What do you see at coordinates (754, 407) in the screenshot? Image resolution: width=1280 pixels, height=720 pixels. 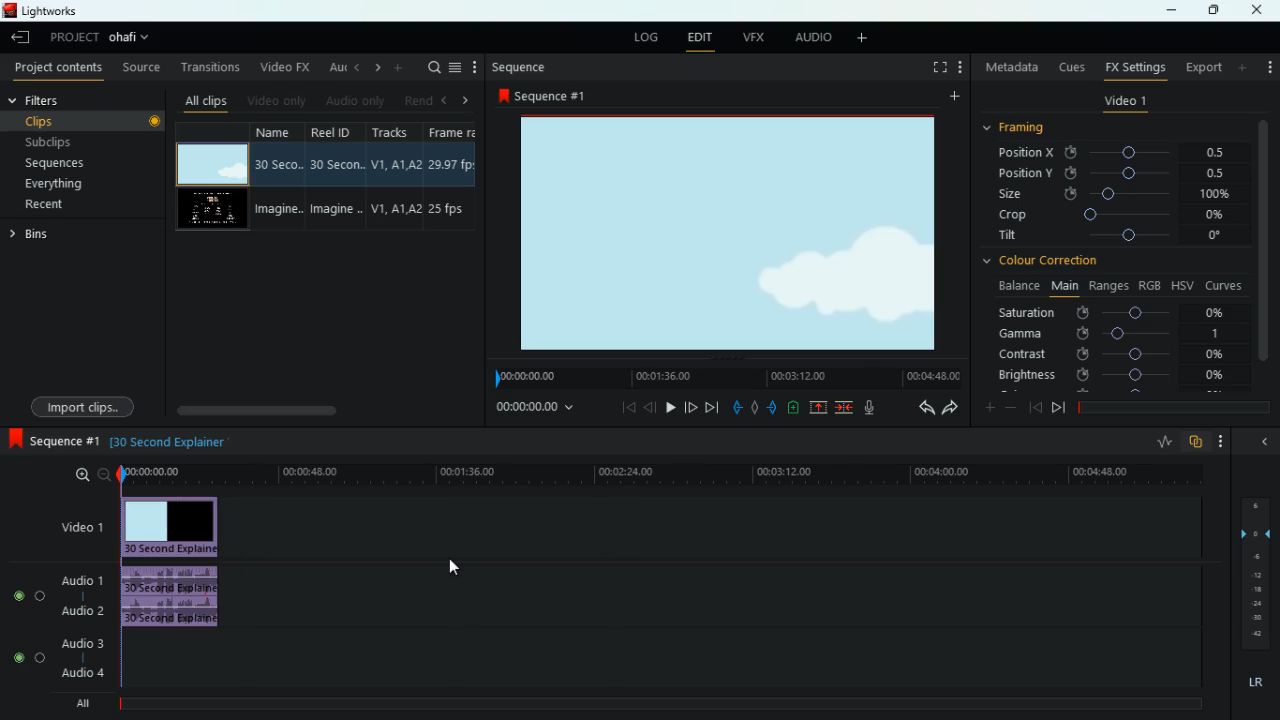 I see `hold` at bounding box center [754, 407].